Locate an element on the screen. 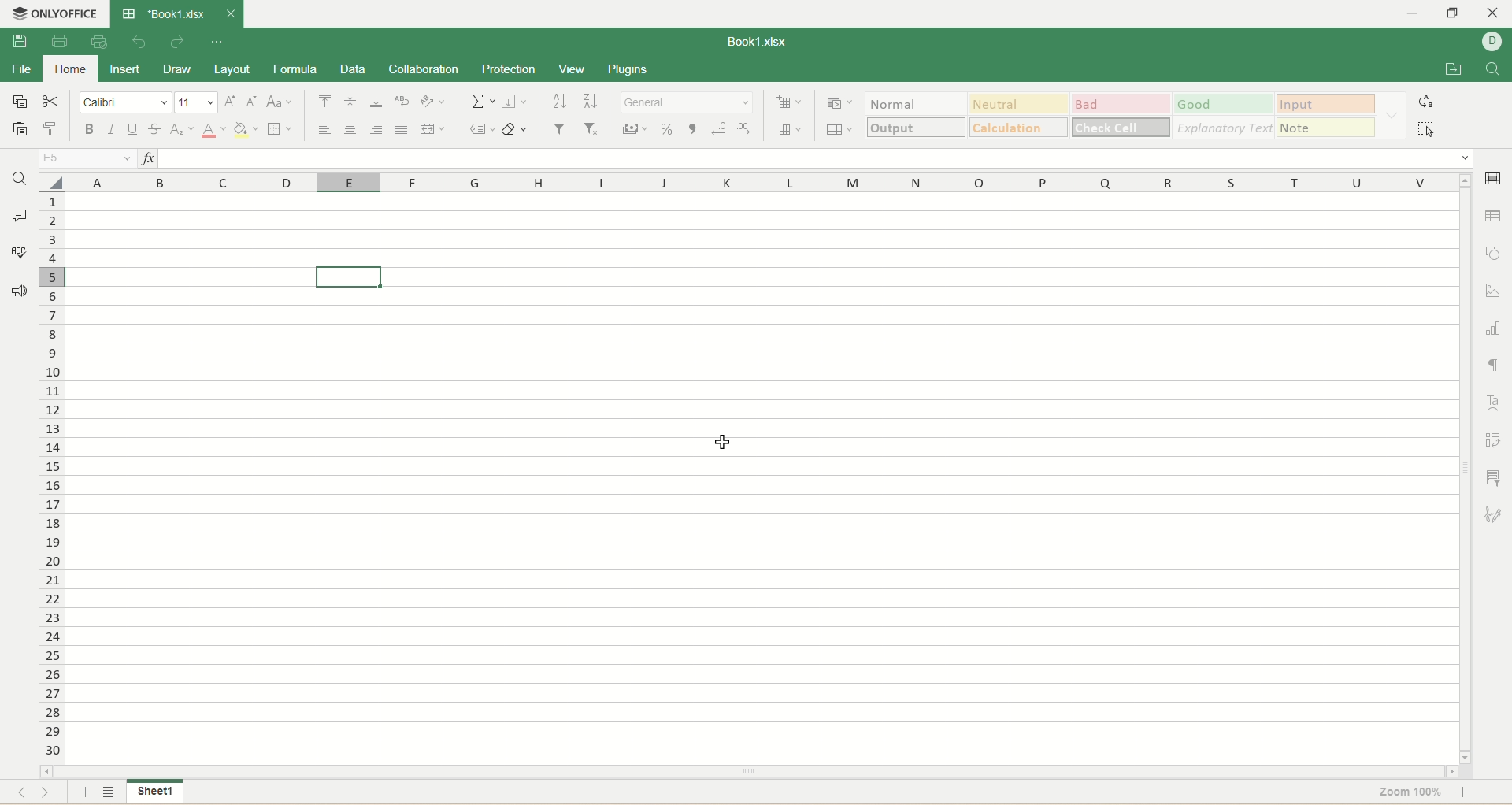 This screenshot has width=1512, height=805. undo is located at coordinates (142, 43).